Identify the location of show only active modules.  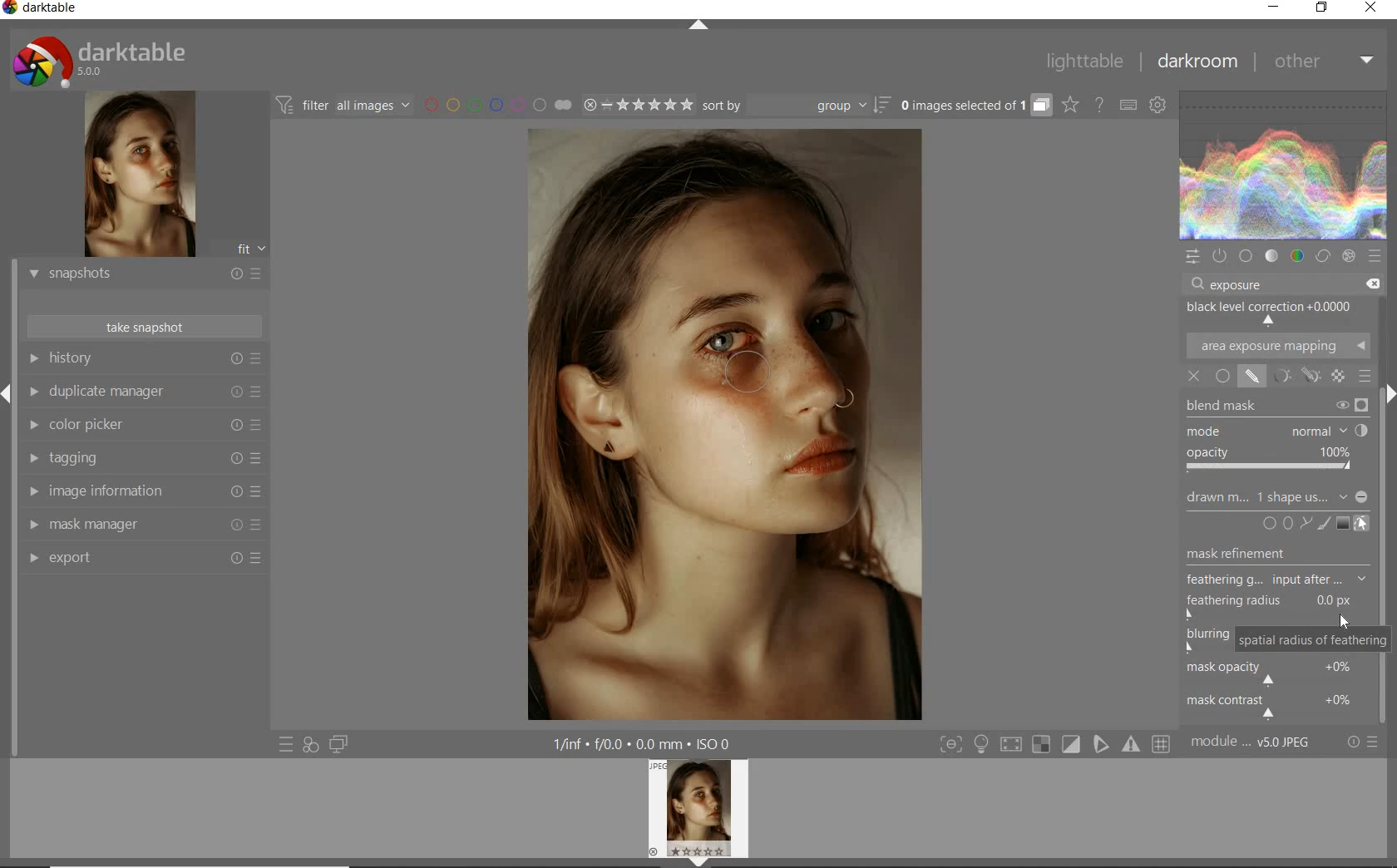
(1219, 257).